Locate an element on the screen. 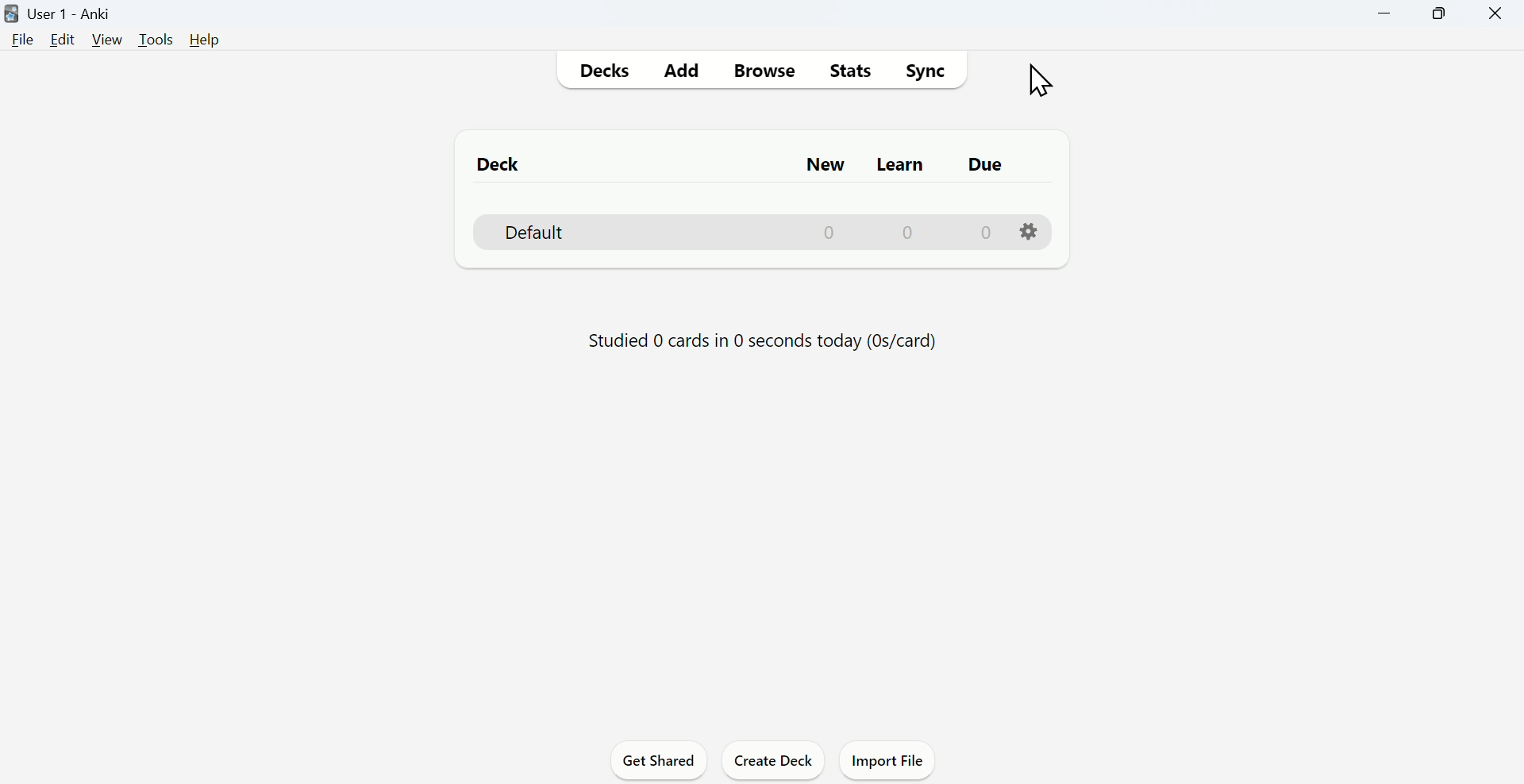 Image resolution: width=1524 pixels, height=784 pixels. View is located at coordinates (109, 40).